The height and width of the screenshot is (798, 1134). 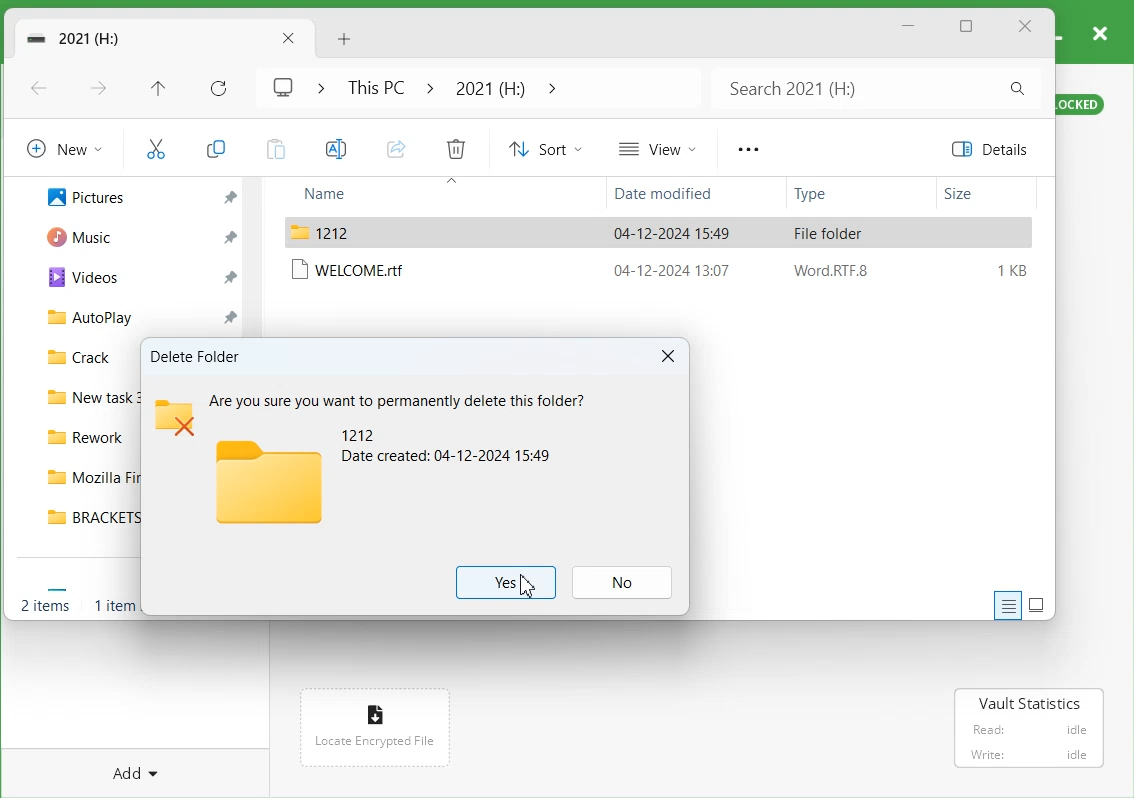 I want to click on Vault Statistics, so click(x=1030, y=703).